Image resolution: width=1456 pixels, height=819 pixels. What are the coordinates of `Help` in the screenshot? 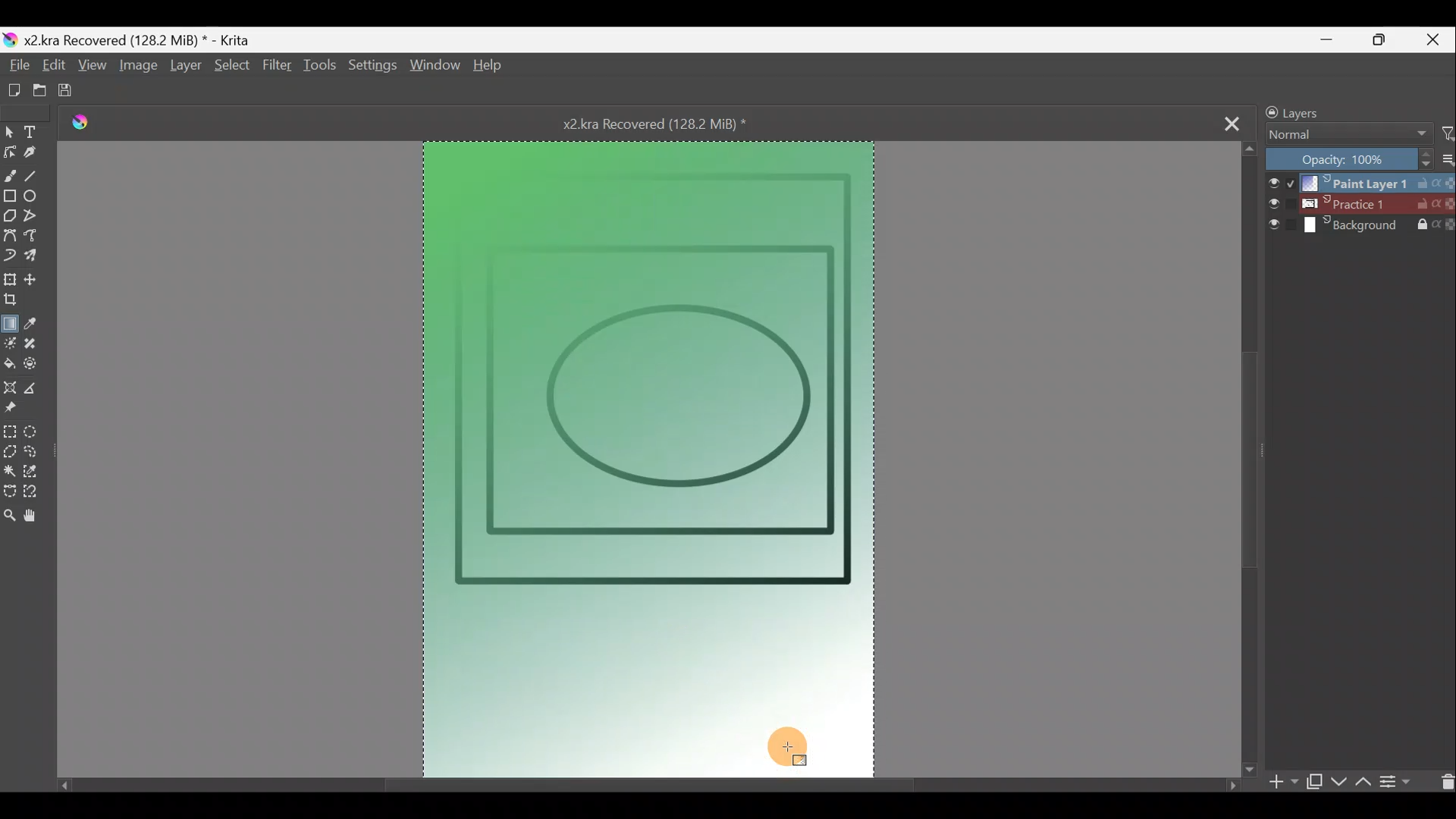 It's located at (488, 67).